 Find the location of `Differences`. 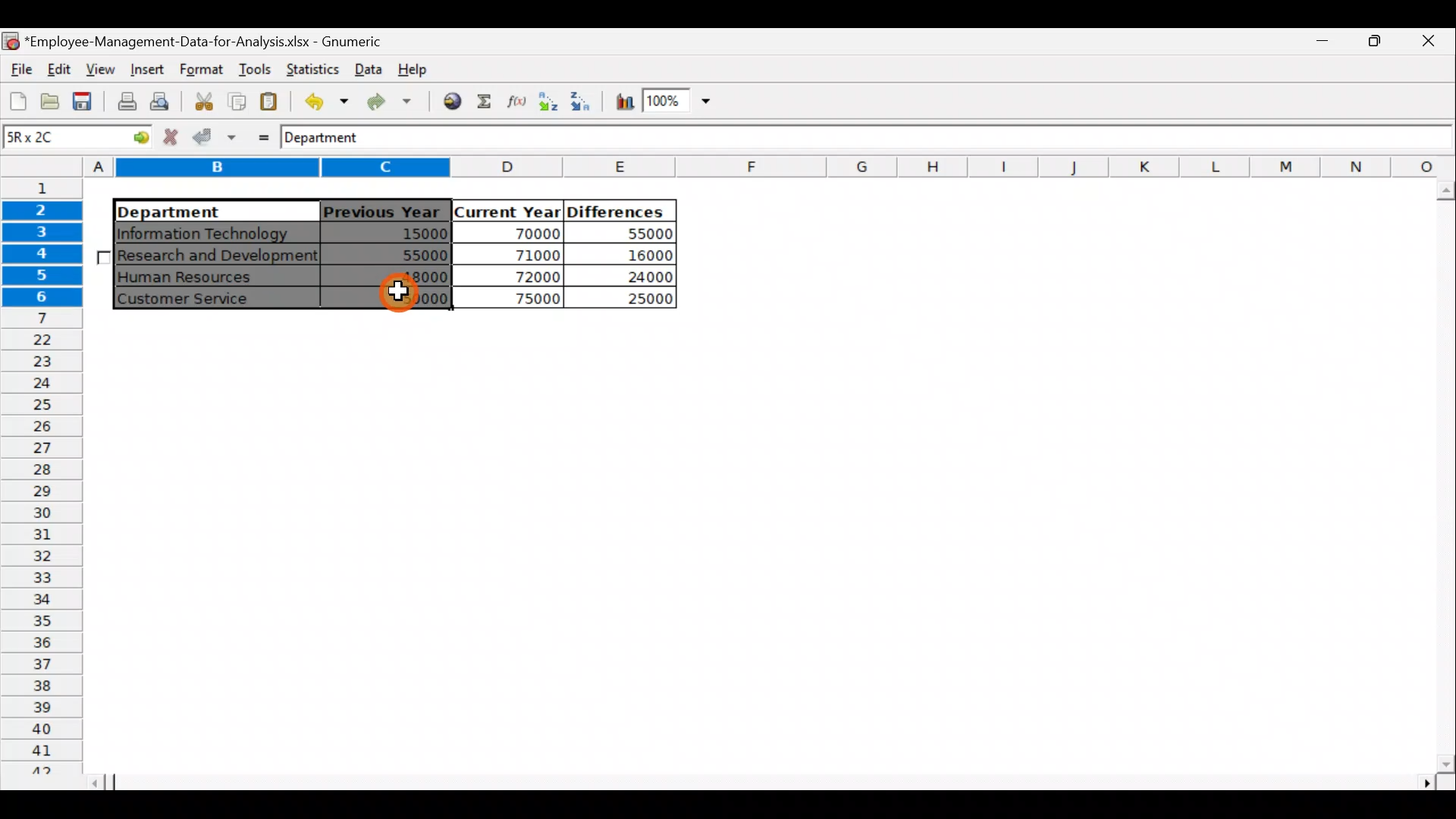

Differences is located at coordinates (619, 211).